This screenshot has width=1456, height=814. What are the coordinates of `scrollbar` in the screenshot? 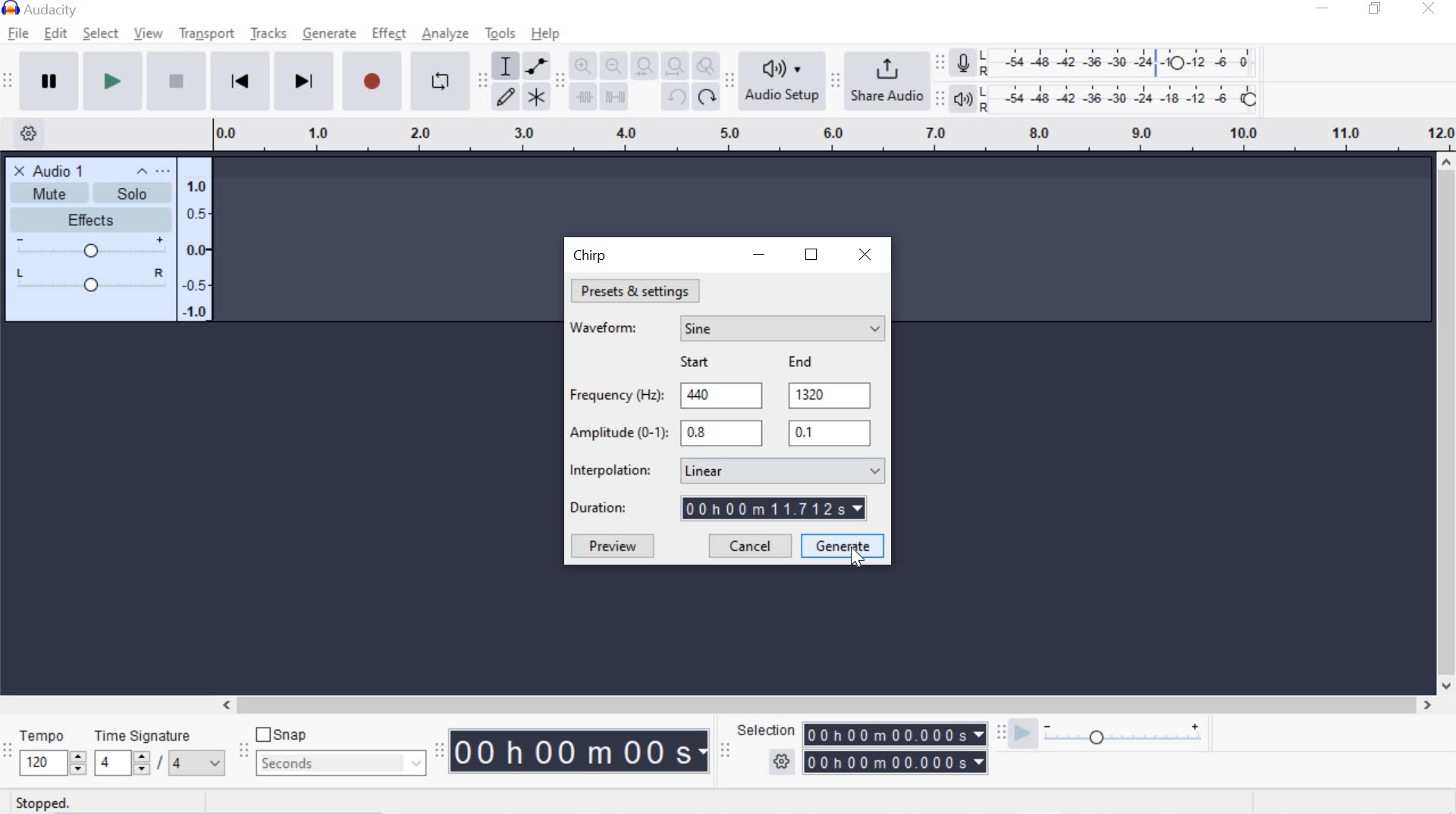 It's located at (824, 706).